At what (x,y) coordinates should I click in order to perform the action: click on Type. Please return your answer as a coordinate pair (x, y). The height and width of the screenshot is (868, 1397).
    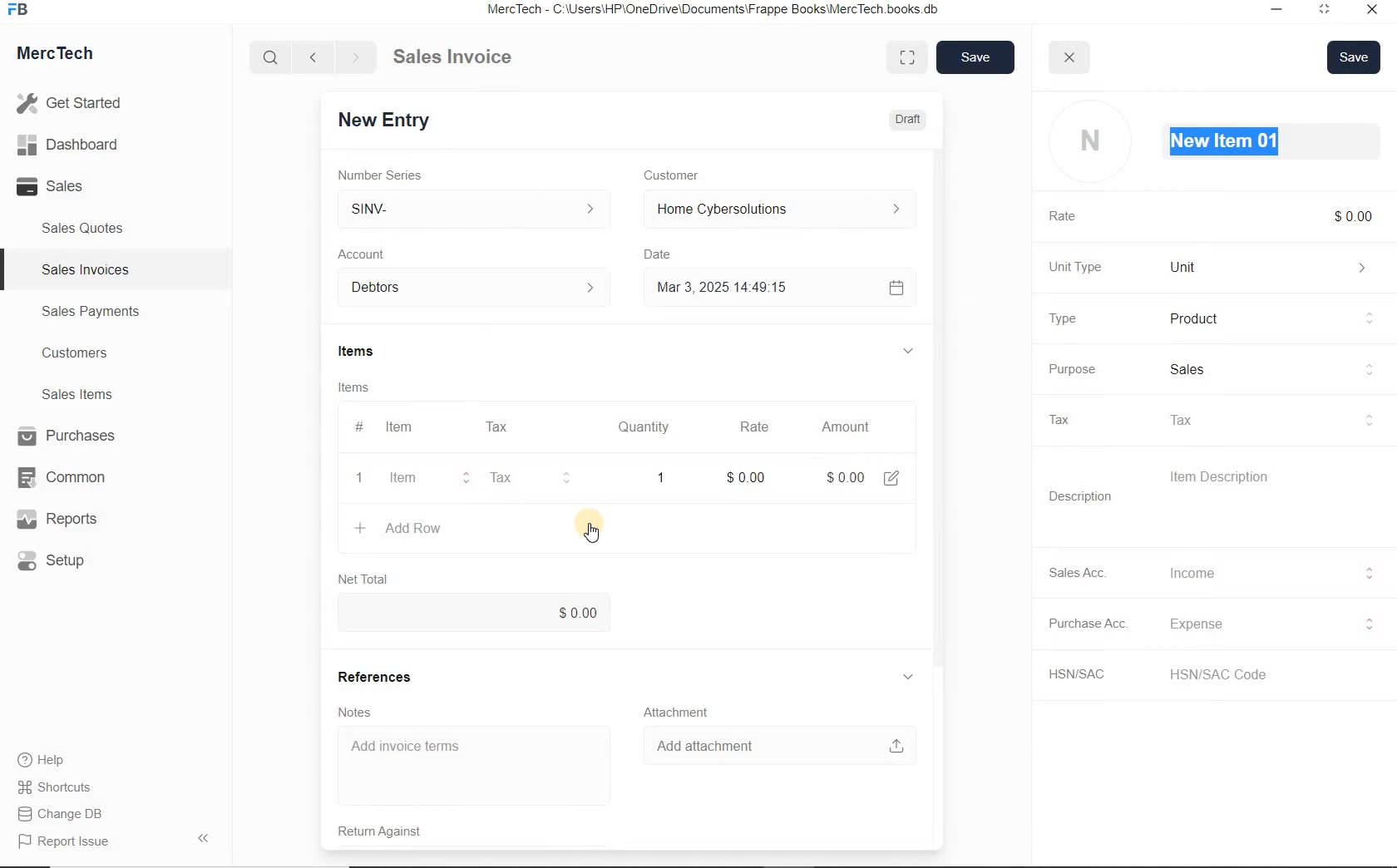
    Looking at the image, I should click on (1061, 318).